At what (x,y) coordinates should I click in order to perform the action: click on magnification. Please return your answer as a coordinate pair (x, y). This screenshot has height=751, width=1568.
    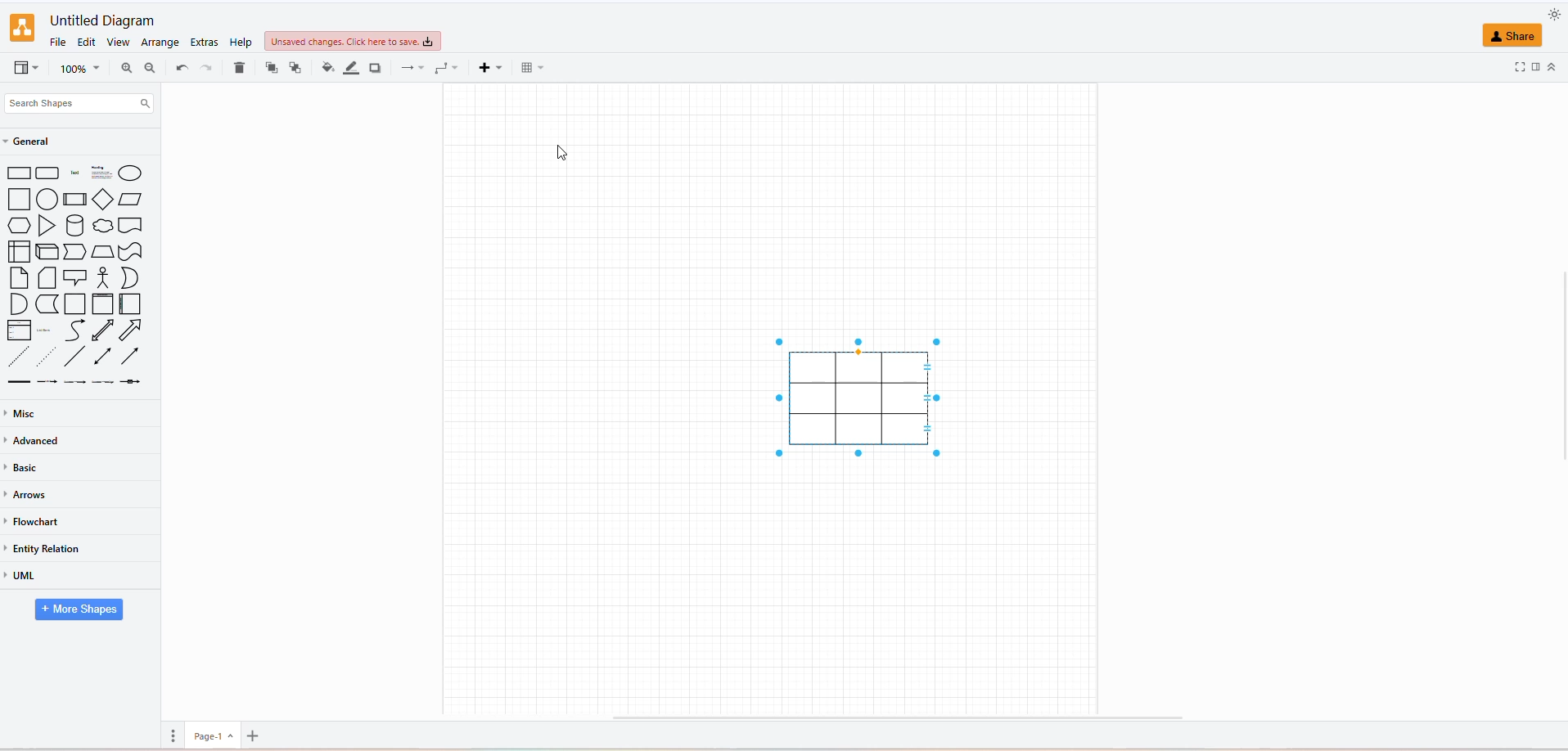
    Looking at the image, I should click on (76, 67).